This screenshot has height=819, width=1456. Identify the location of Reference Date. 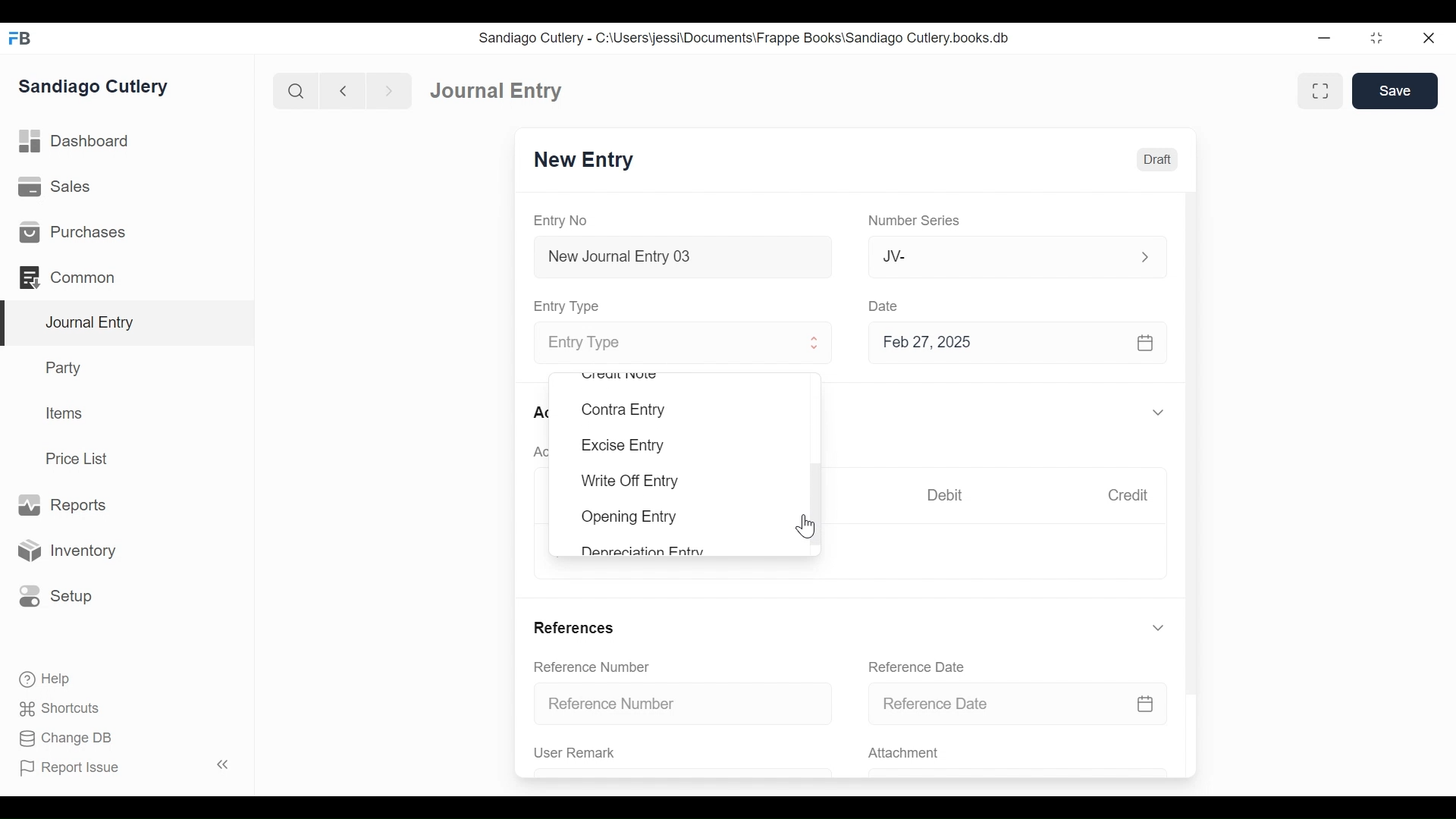
(919, 667).